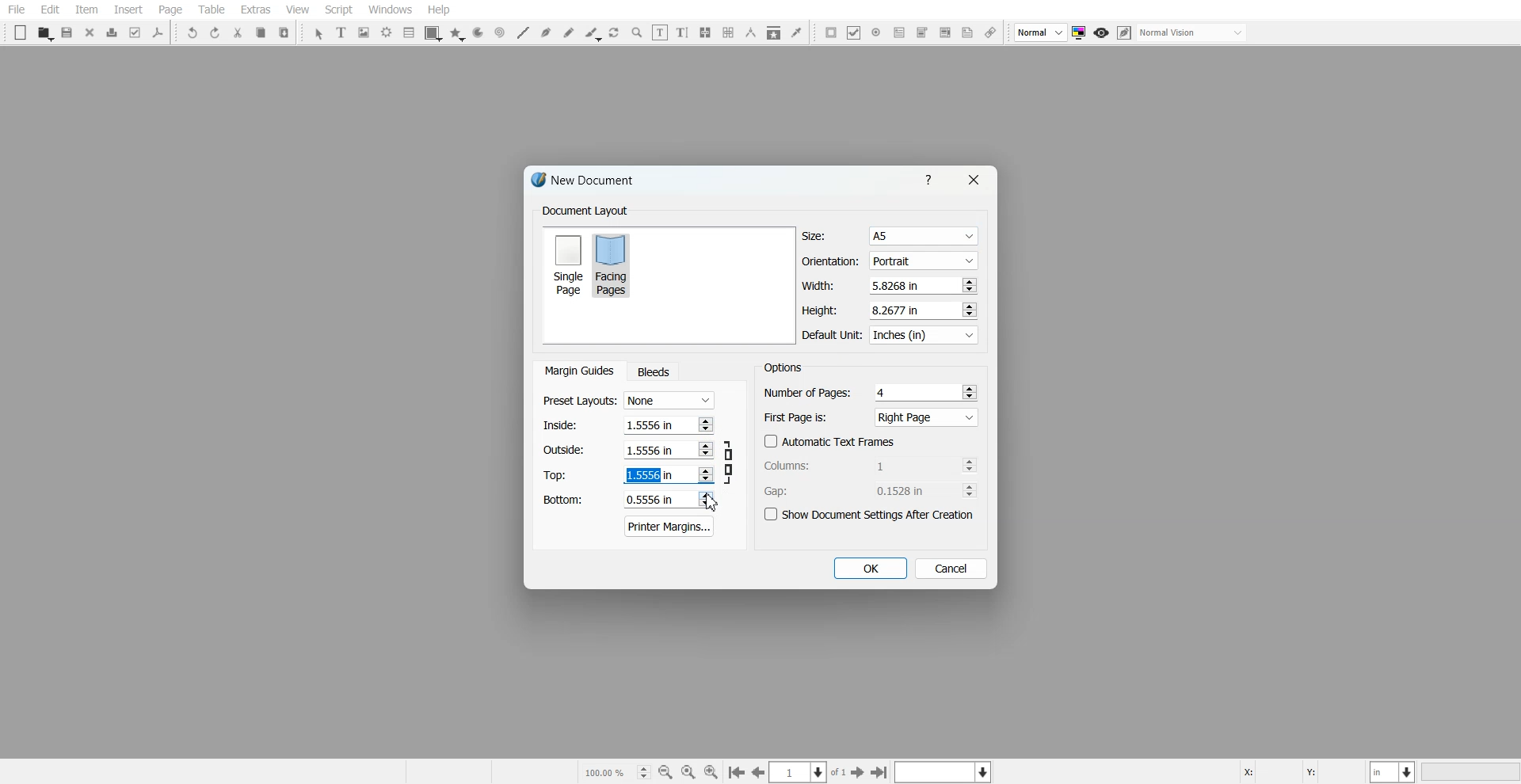 This screenshot has width=1521, height=784. I want to click on Edit in preview mode, so click(1125, 32).